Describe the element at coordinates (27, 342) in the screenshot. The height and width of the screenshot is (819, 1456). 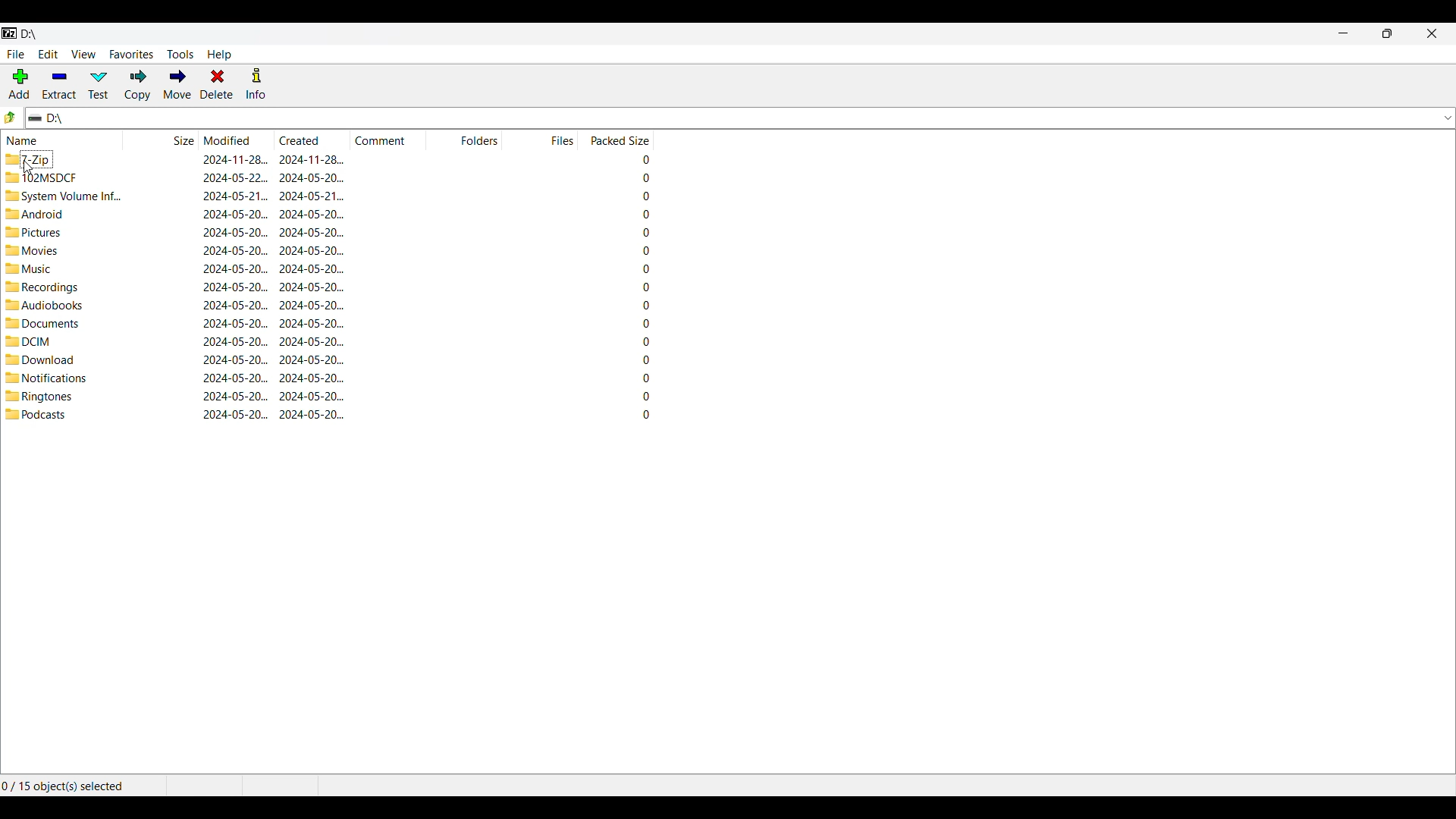
I see `folder` at that location.